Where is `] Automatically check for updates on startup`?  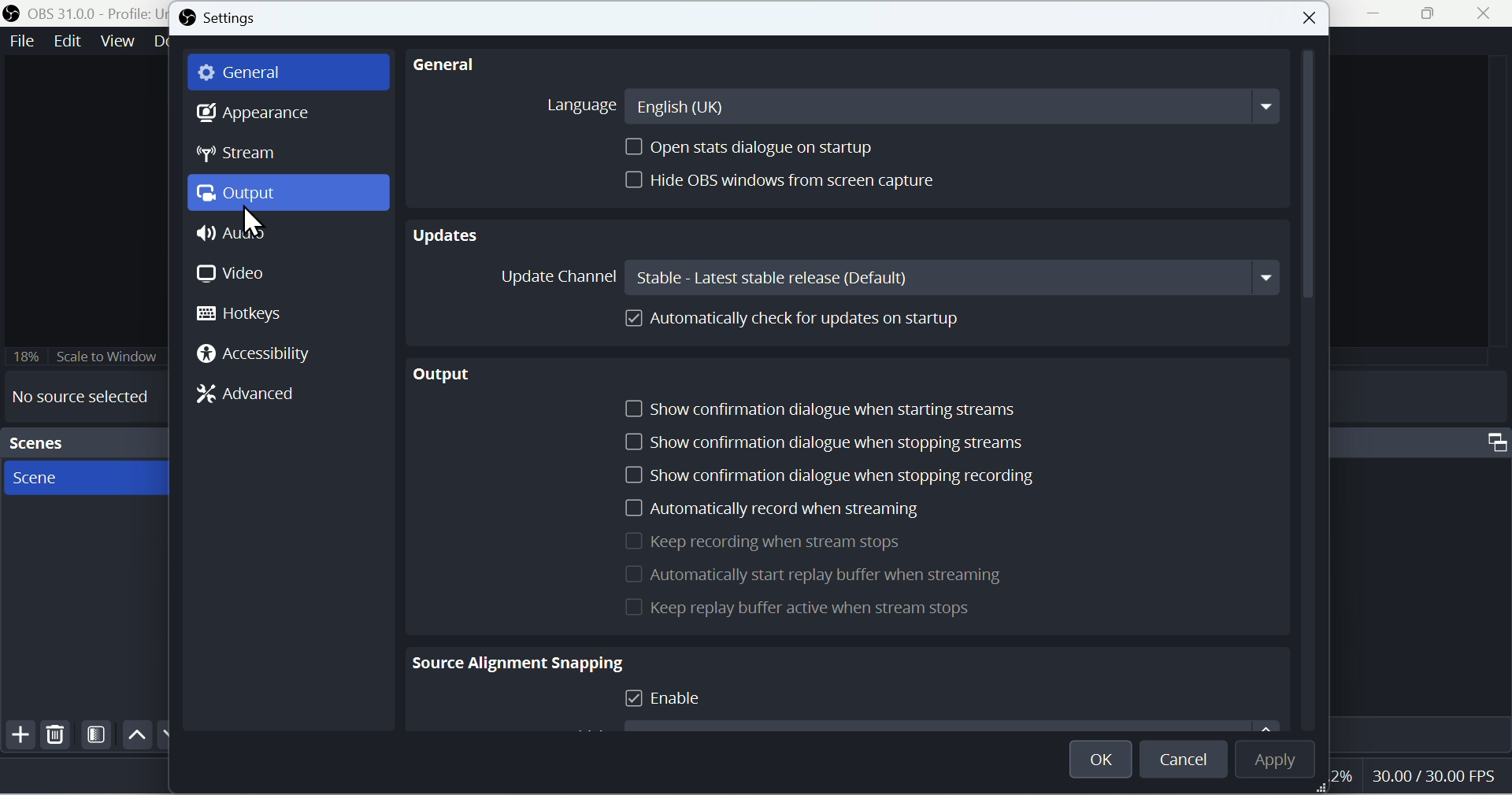 ] Automatically check for updates on startup is located at coordinates (791, 317).